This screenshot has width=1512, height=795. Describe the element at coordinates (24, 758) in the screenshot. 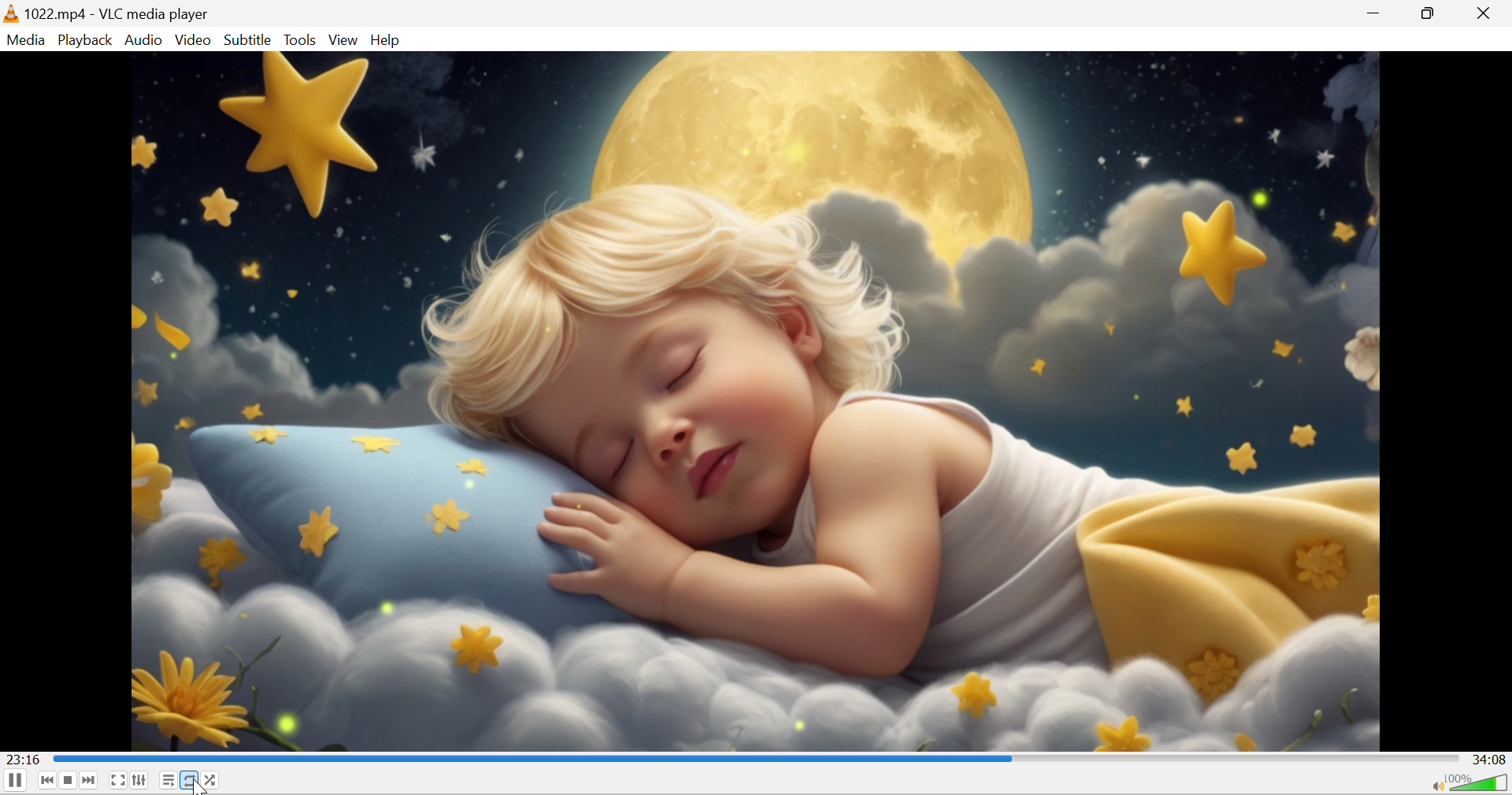

I see `23:16` at that location.